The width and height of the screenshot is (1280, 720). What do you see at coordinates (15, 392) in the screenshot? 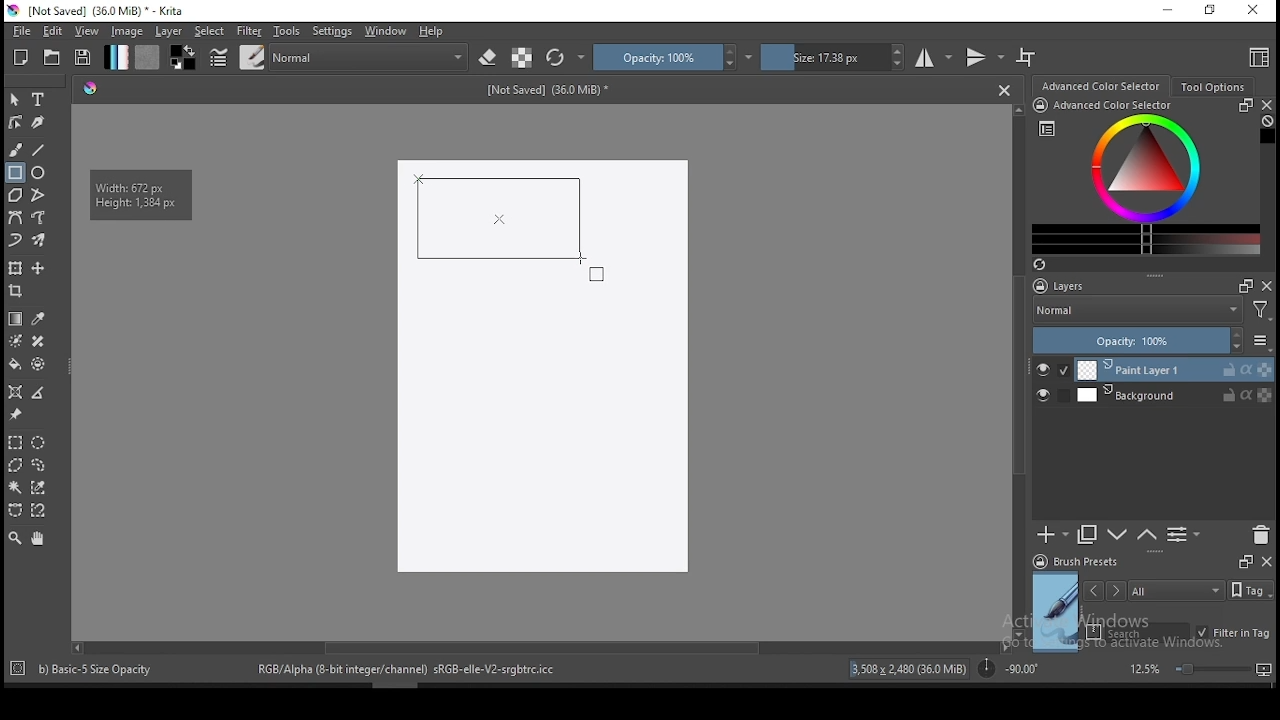
I see `assistant tool` at bounding box center [15, 392].